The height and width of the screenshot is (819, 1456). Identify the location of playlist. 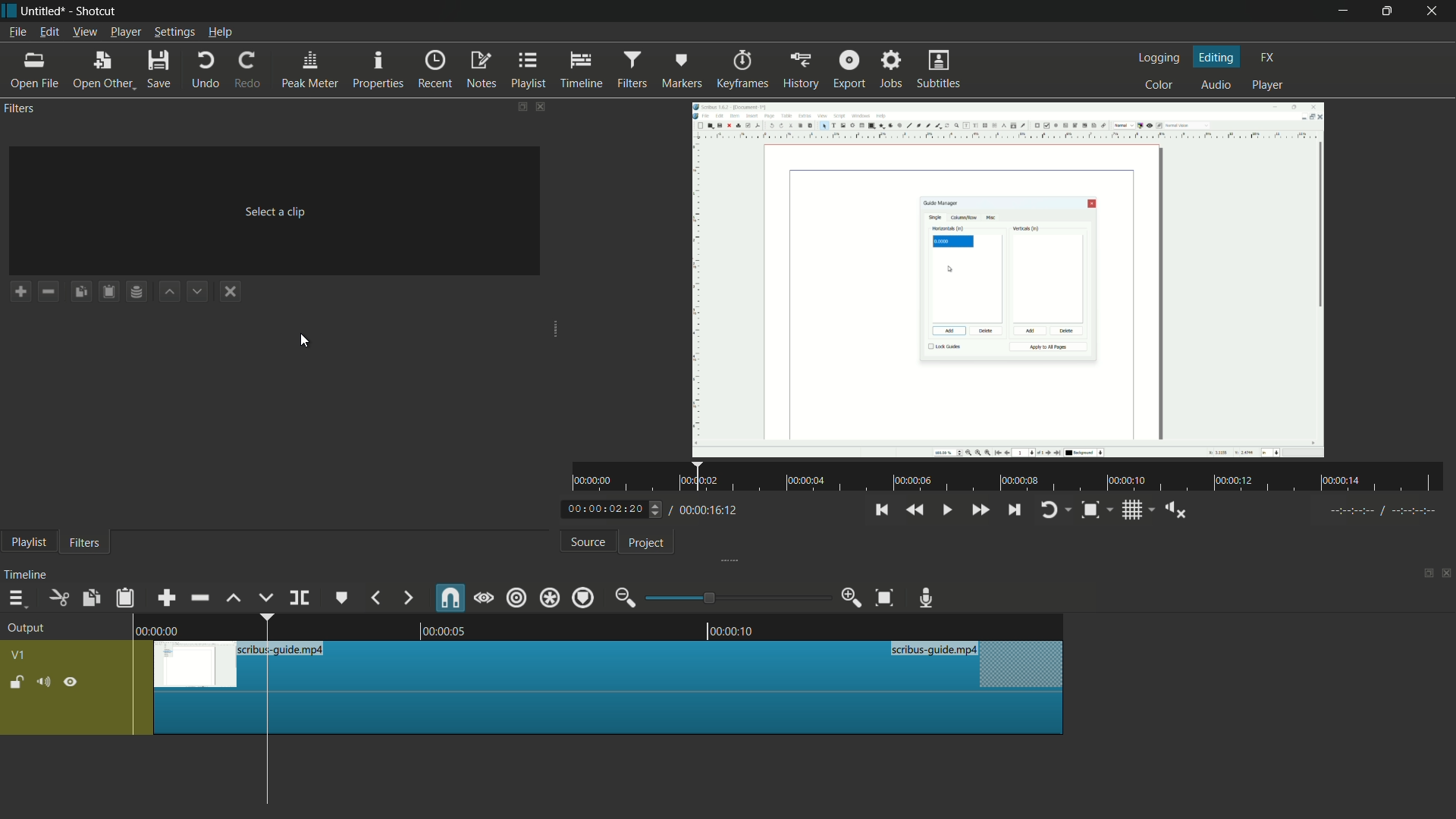
(26, 543).